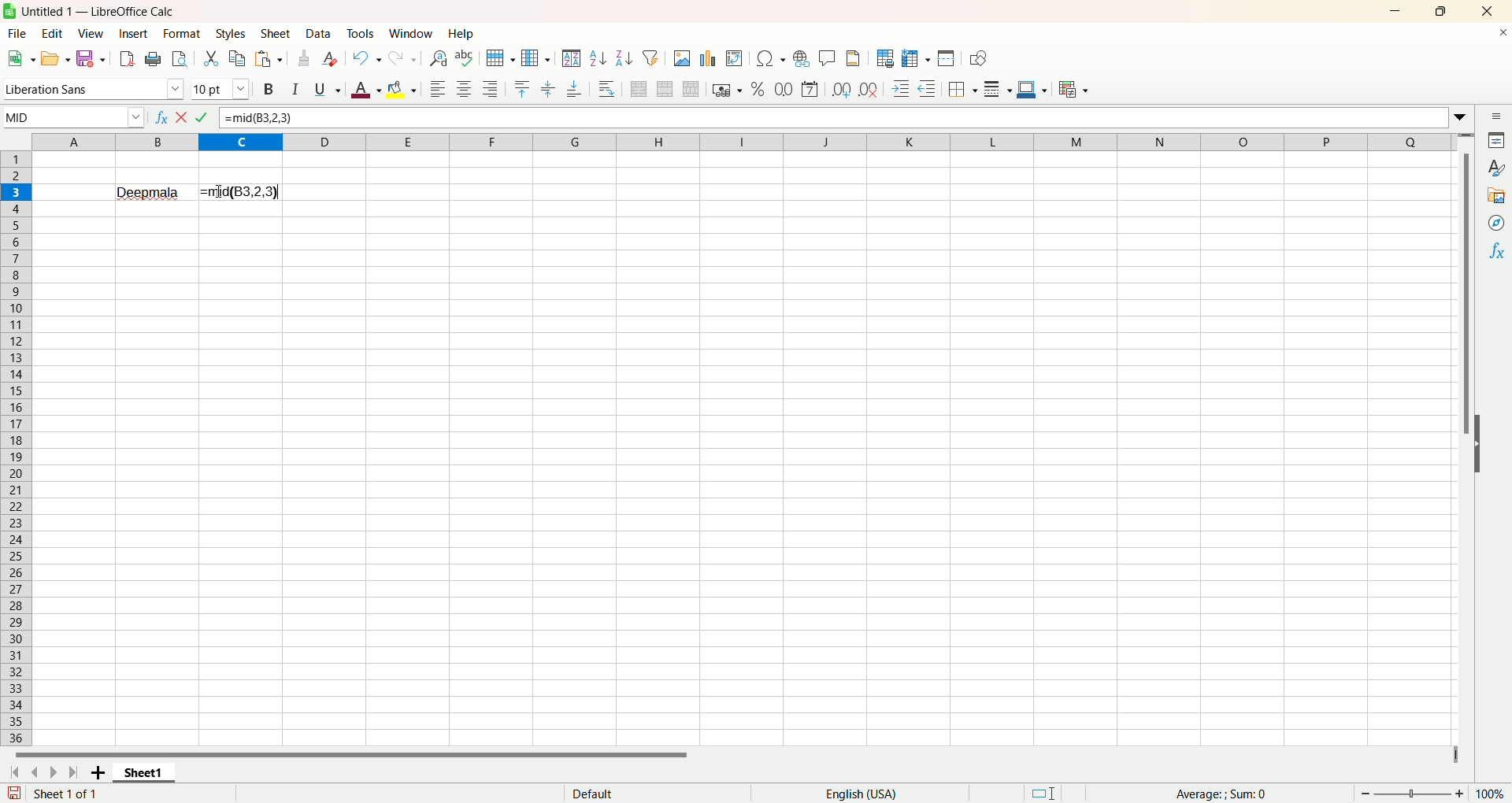  Describe the element at coordinates (269, 58) in the screenshot. I see `Paste` at that location.